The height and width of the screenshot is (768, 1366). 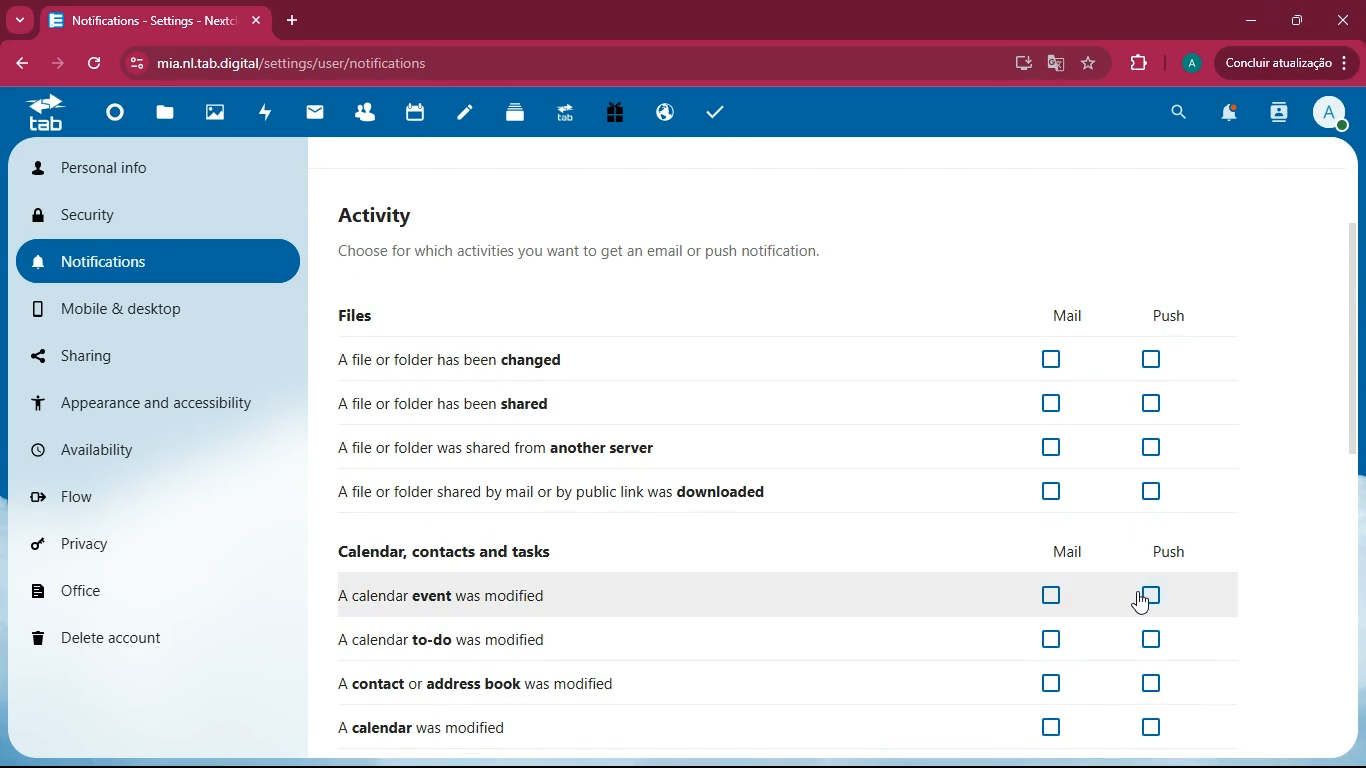 I want to click on more, so click(x=18, y=21).